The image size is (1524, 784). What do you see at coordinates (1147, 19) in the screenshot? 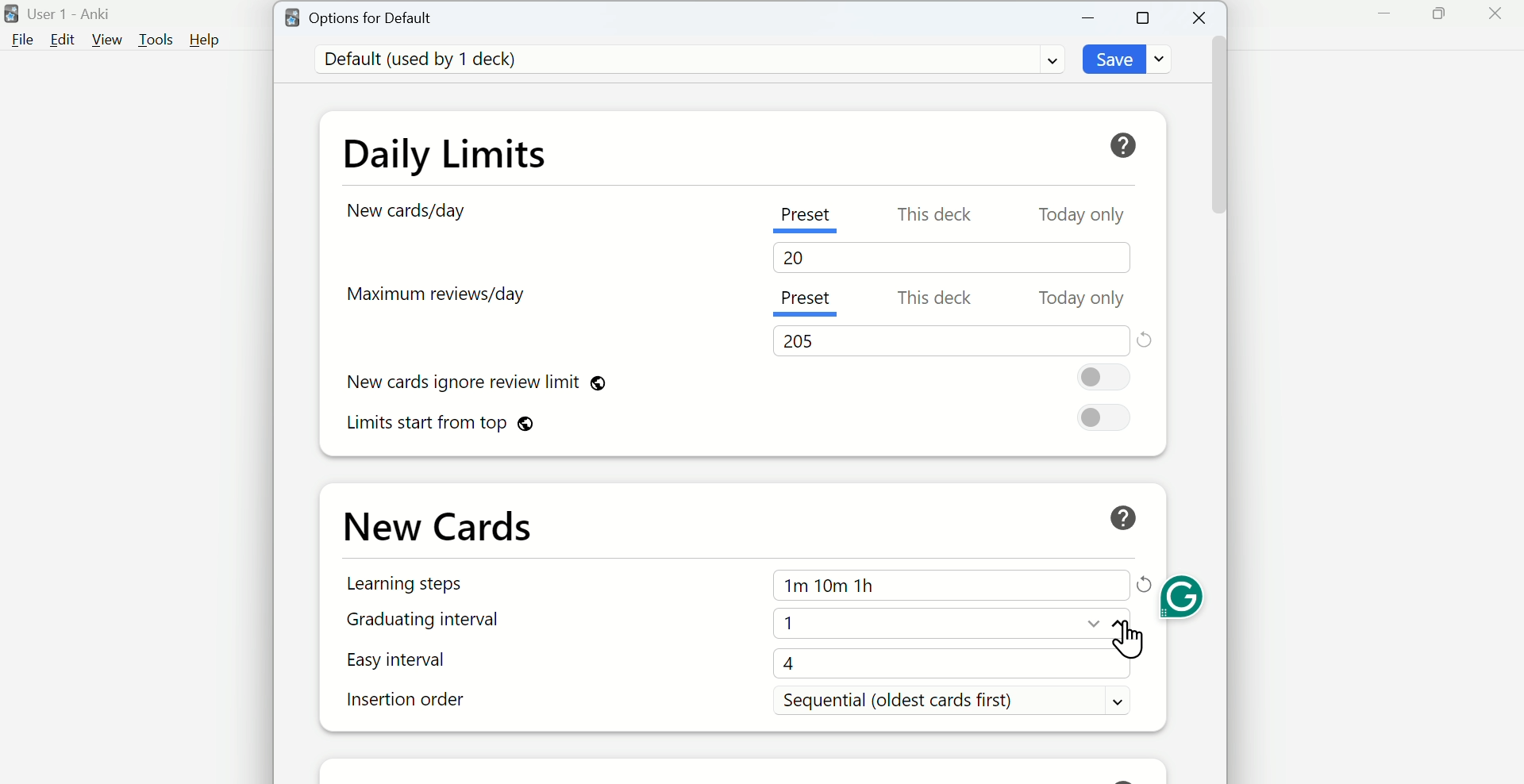
I see `Maximize` at bounding box center [1147, 19].